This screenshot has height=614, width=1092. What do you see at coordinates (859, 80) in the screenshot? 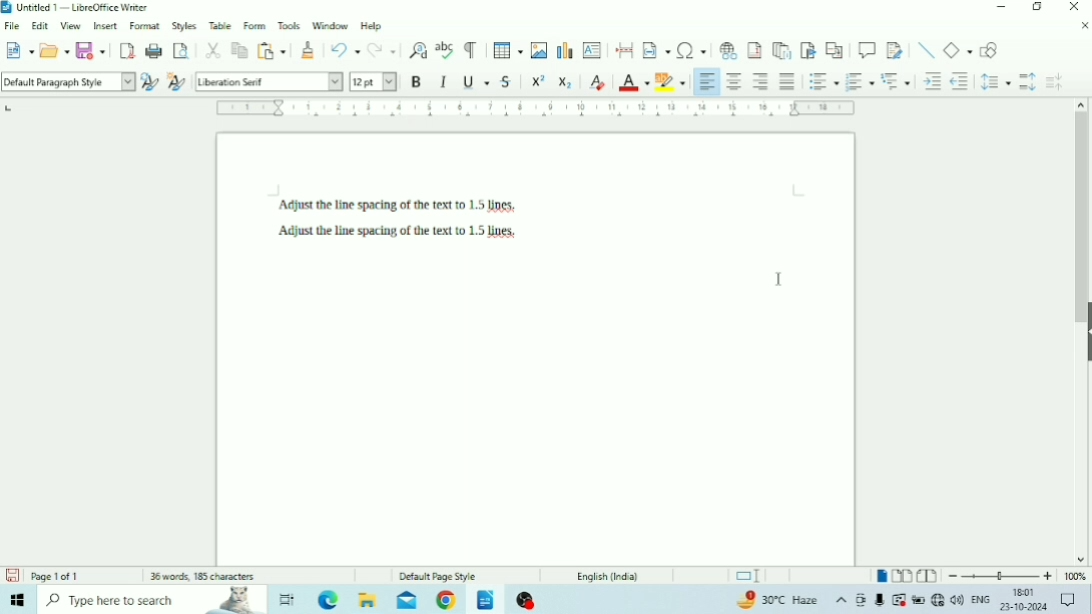
I see `Toggle Ordered List` at bounding box center [859, 80].